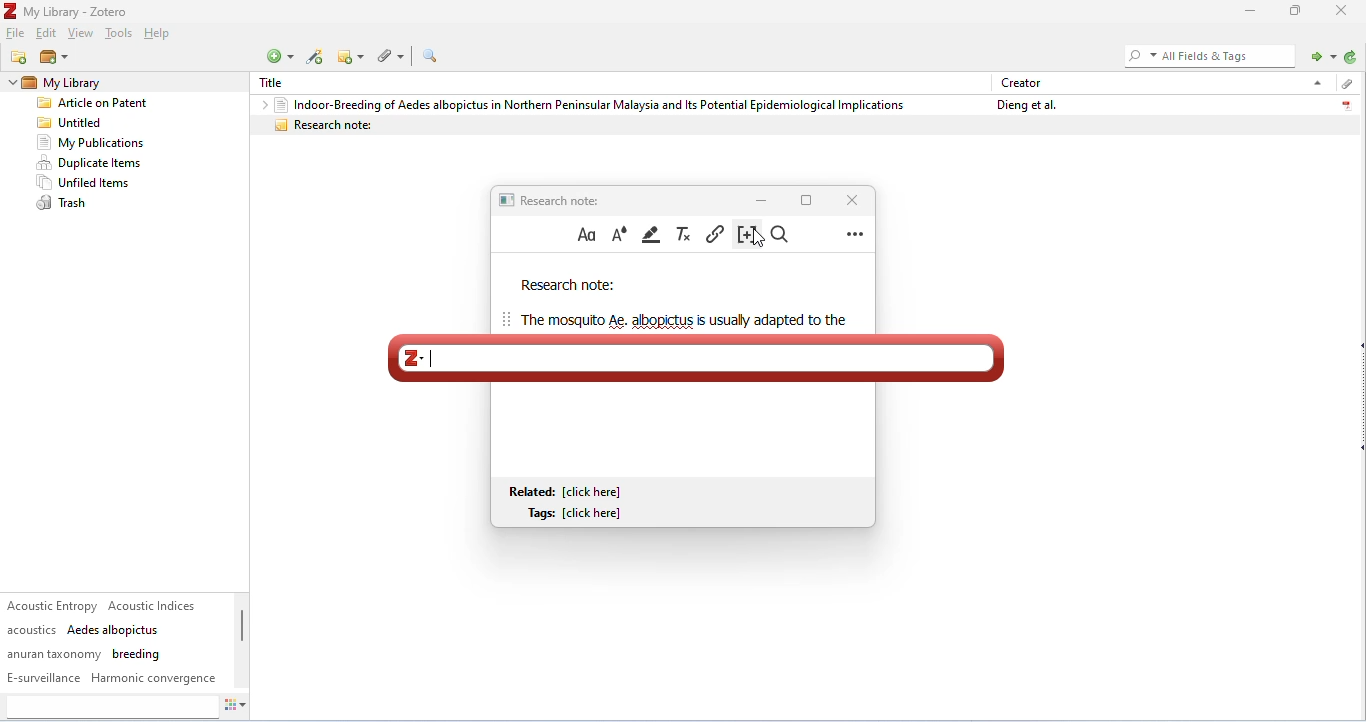 The height and width of the screenshot is (722, 1366). I want to click on maximize, so click(1296, 10).